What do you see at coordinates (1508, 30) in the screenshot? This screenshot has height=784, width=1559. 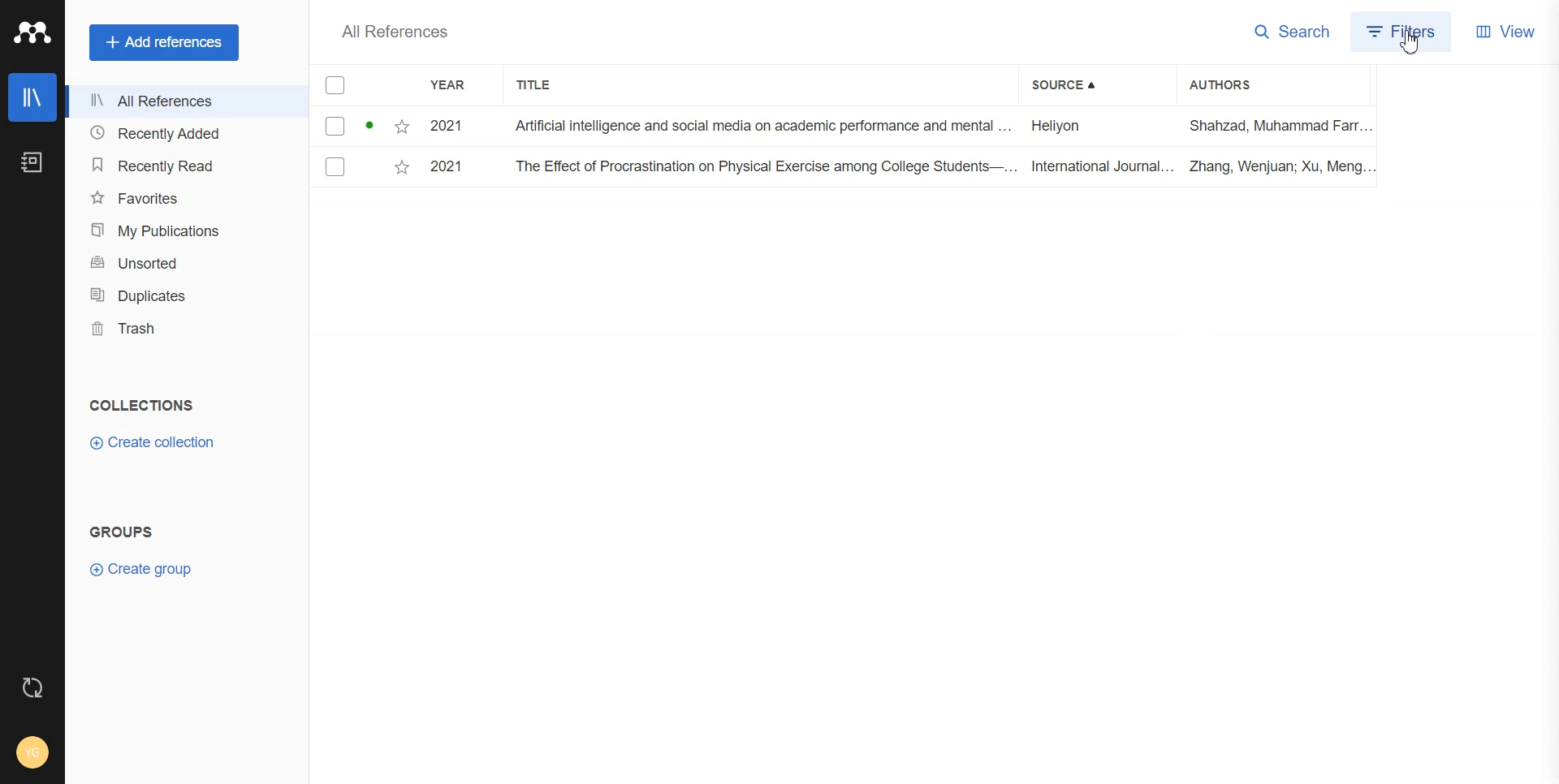 I see `View` at bounding box center [1508, 30].